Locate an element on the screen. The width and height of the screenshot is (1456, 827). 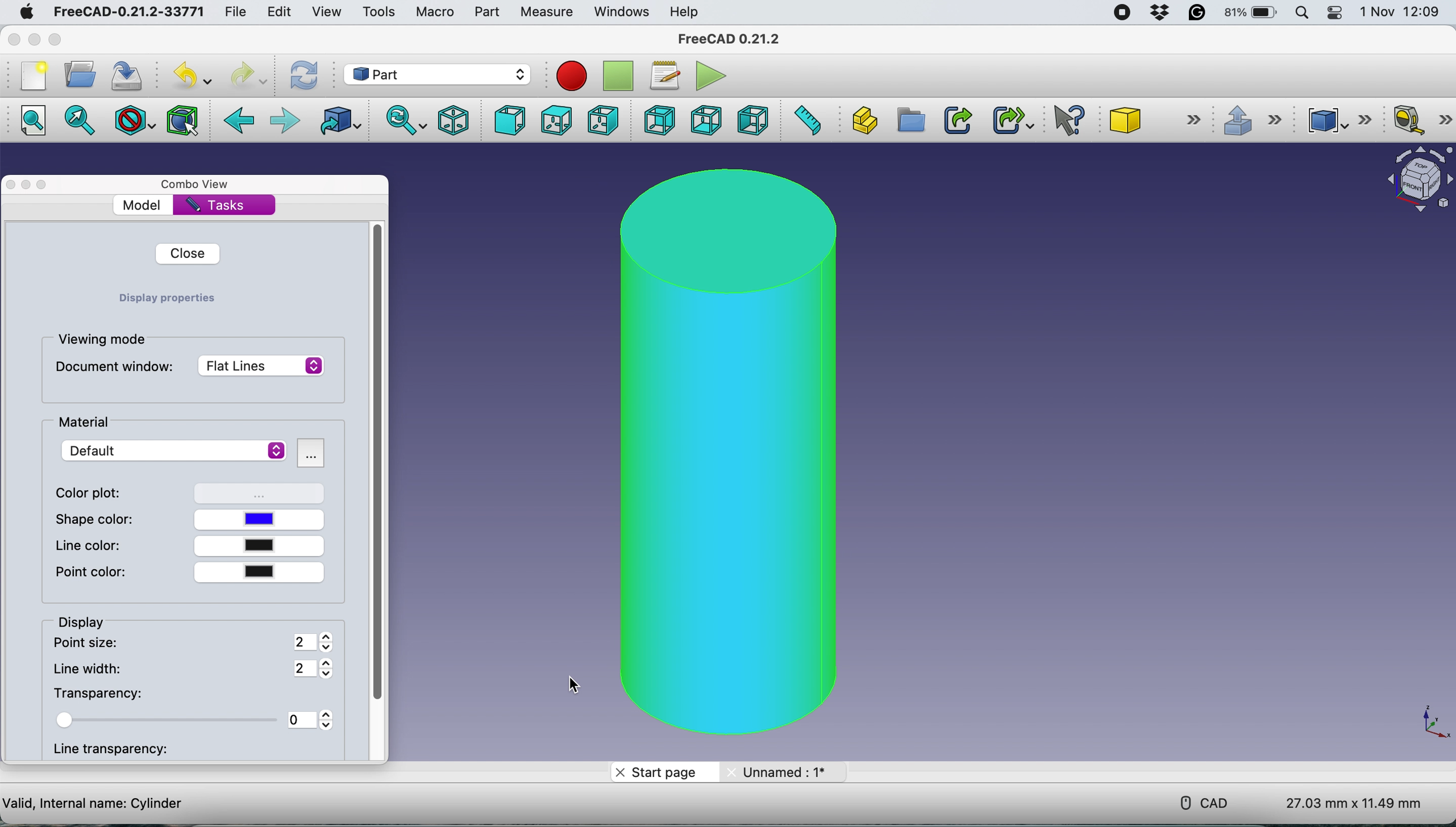
viewing mode is located at coordinates (104, 341).